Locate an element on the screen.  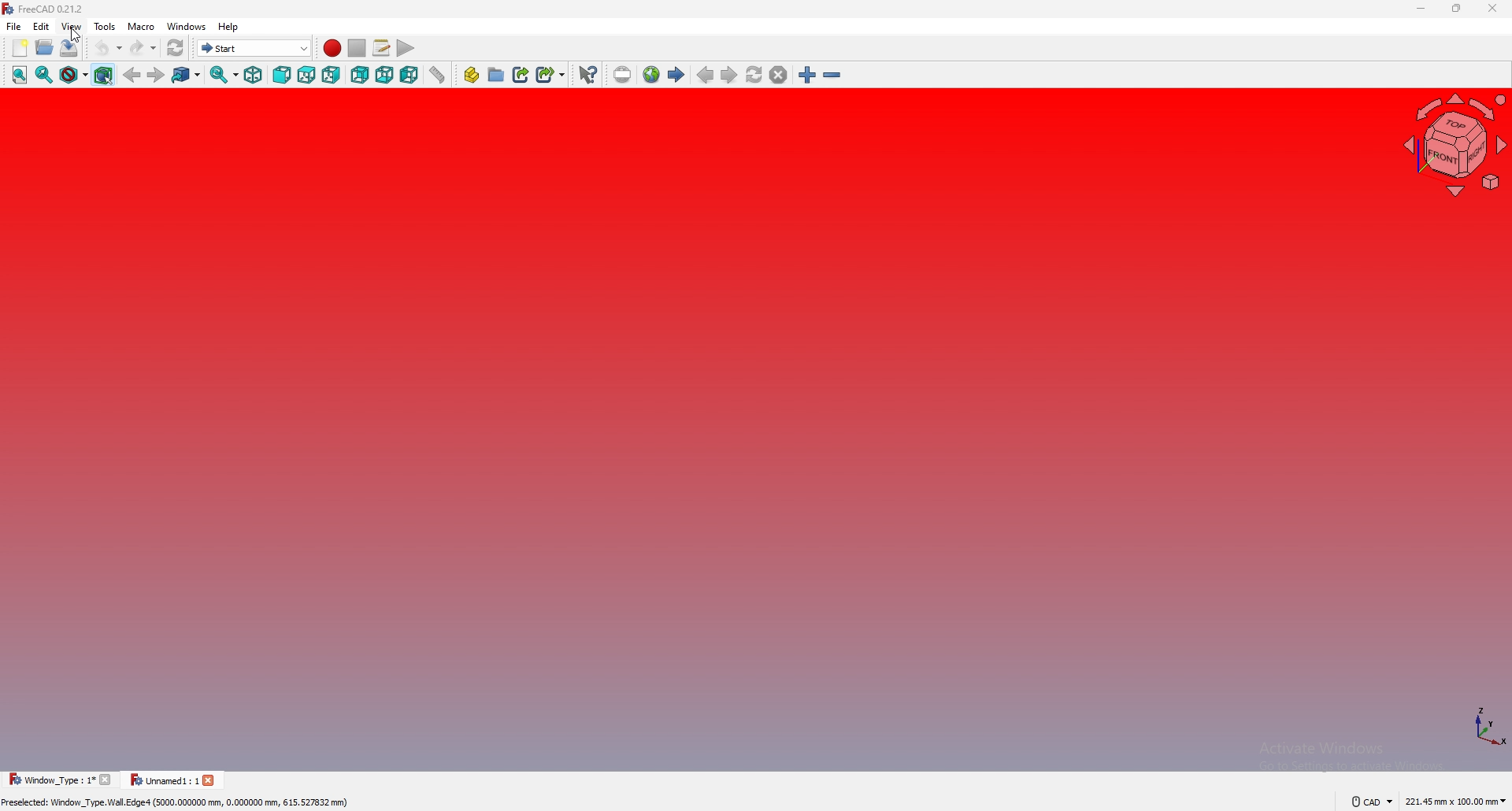
go to linked object is located at coordinates (187, 74).